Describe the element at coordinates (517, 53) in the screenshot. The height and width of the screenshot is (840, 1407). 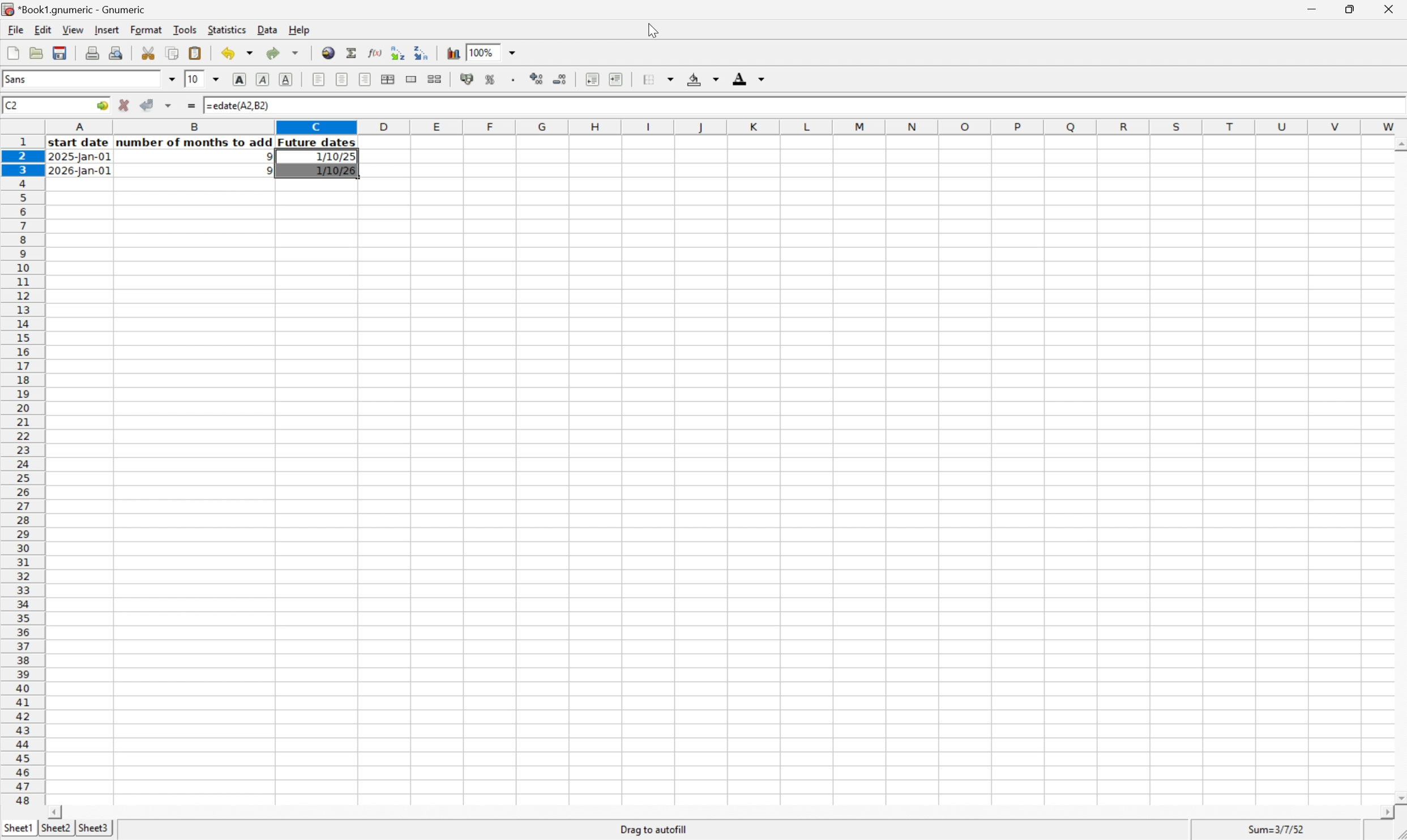
I see `Drop Down` at that location.